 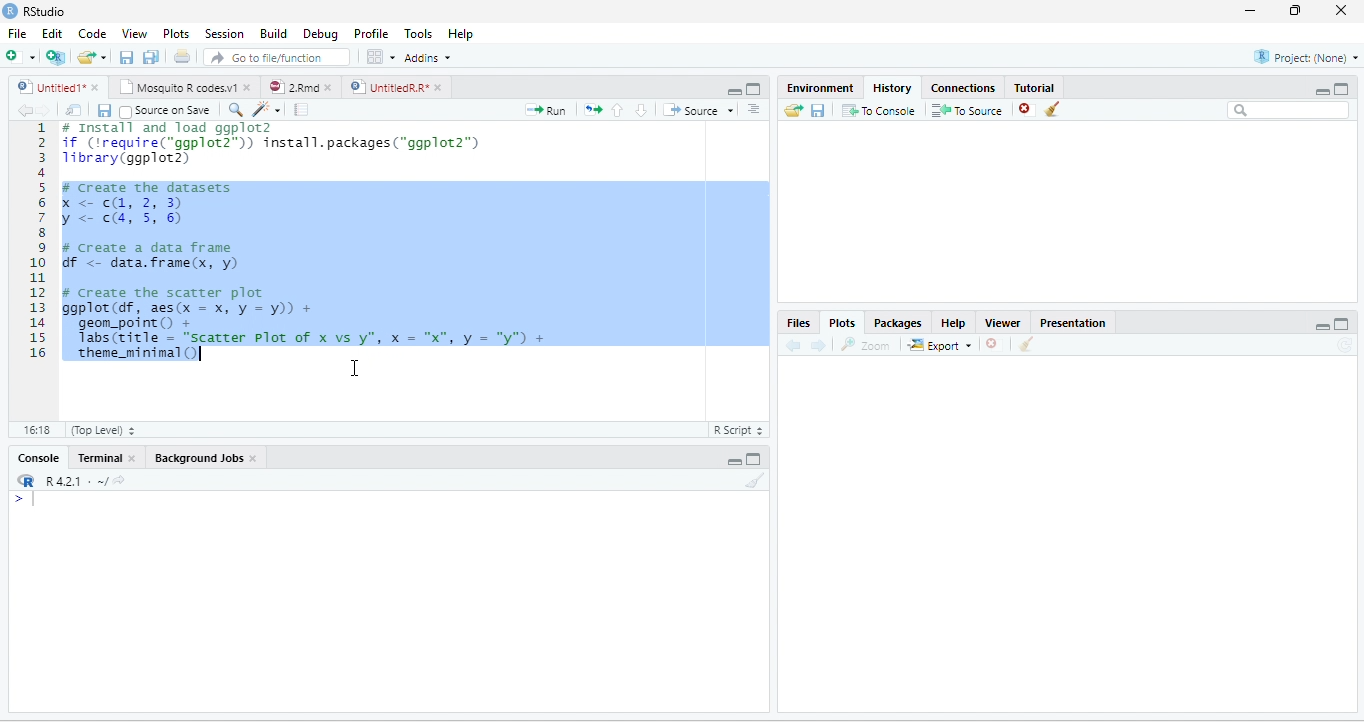 I want to click on Workspace panes, so click(x=379, y=56).